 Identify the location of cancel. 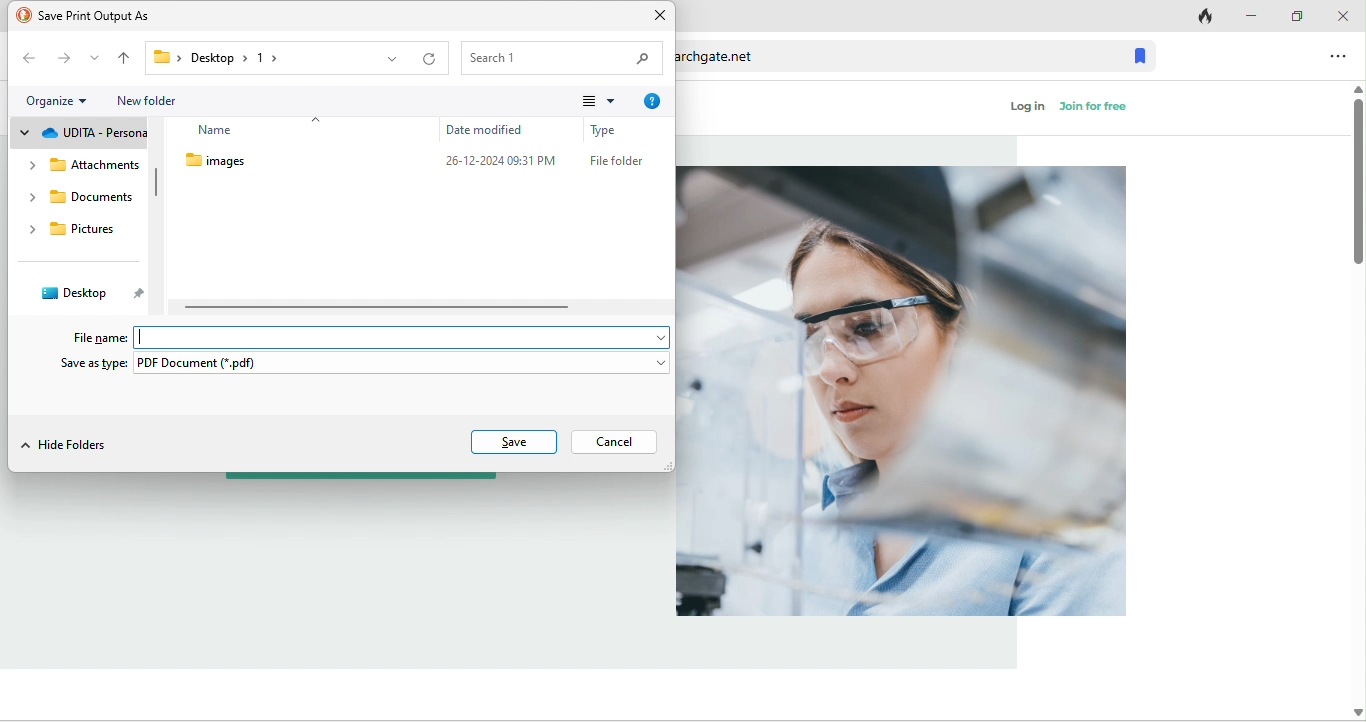
(613, 442).